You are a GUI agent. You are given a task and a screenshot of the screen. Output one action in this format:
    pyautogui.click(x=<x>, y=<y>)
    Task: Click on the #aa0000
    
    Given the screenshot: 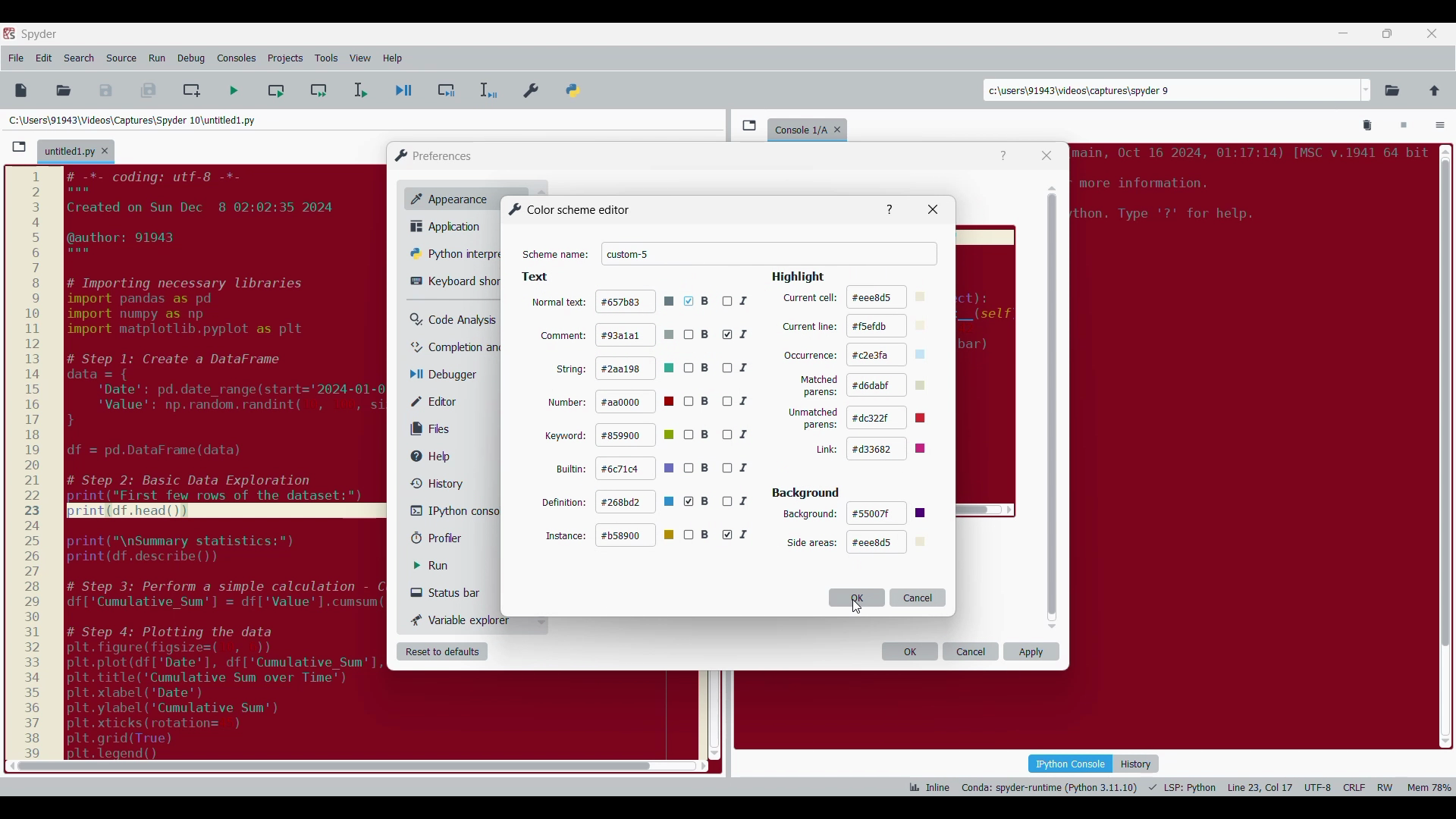 What is the action you would take?
    pyautogui.click(x=637, y=402)
    